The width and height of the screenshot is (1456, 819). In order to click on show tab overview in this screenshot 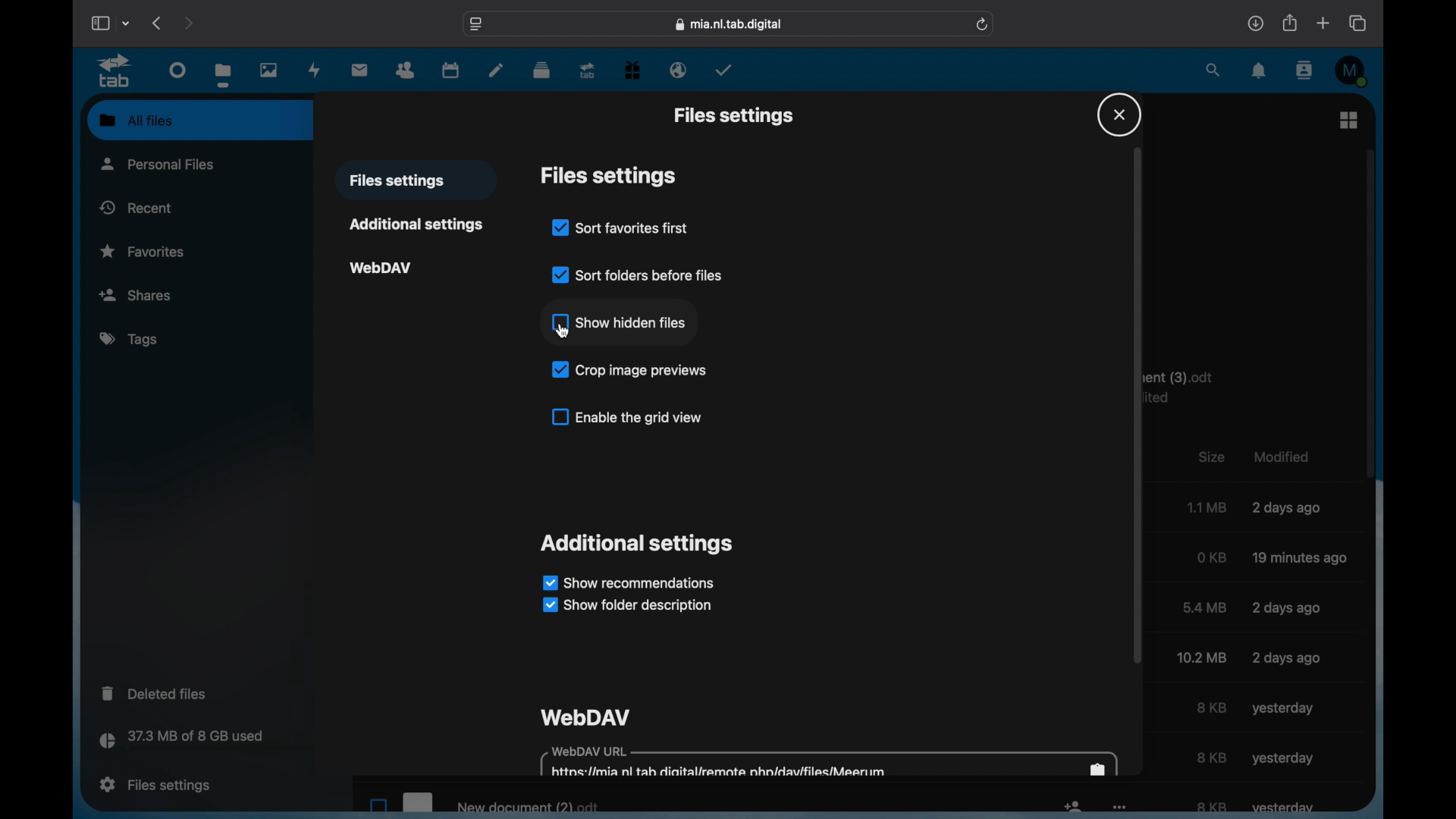, I will do `click(1359, 24)`.